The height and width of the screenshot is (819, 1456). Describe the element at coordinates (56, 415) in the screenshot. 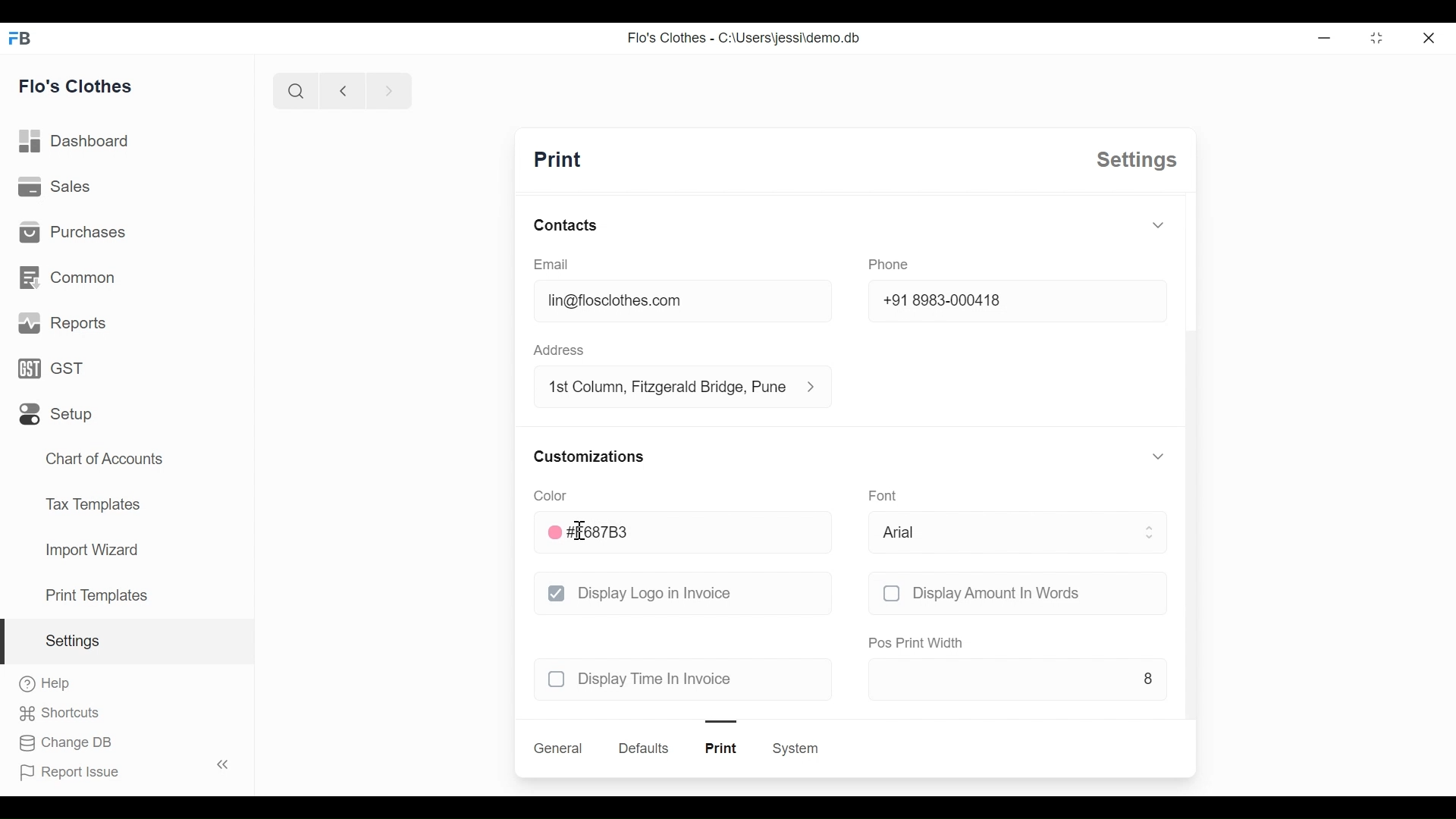

I see `setup` at that location.